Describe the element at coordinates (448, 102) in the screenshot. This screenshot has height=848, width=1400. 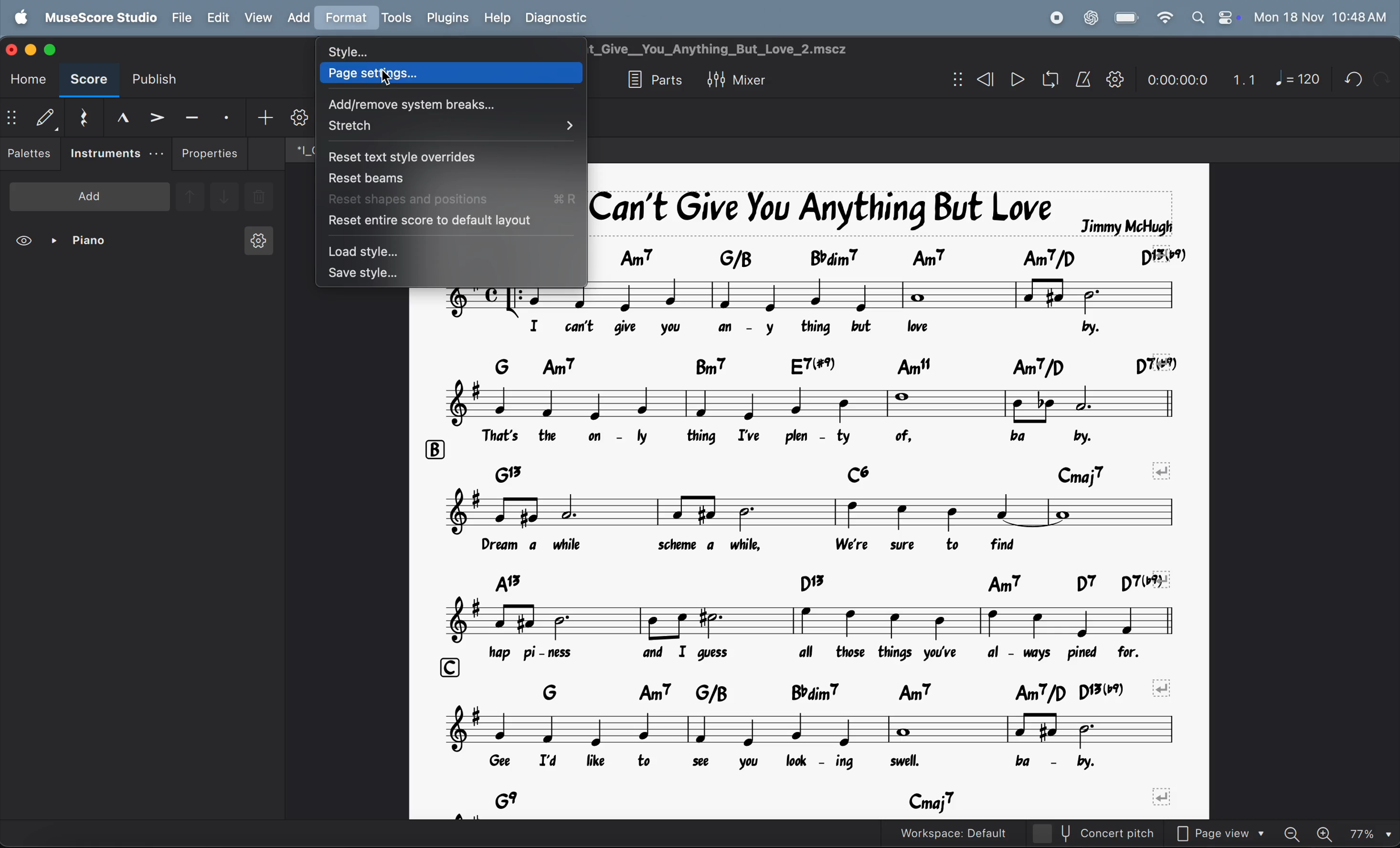
I see `add and remove system breaks` at that location.